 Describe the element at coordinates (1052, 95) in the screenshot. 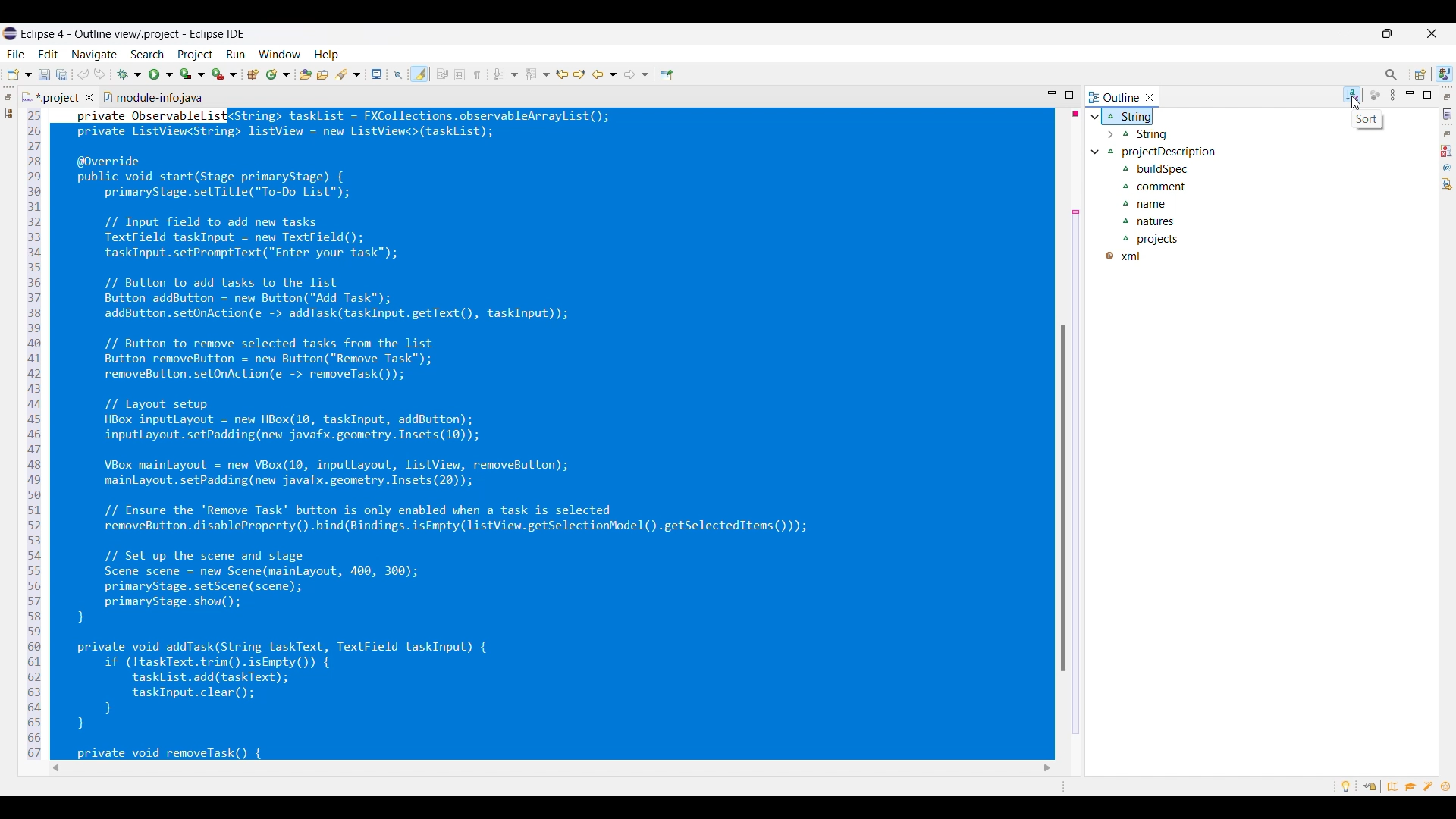

I see `minimize` at that location.